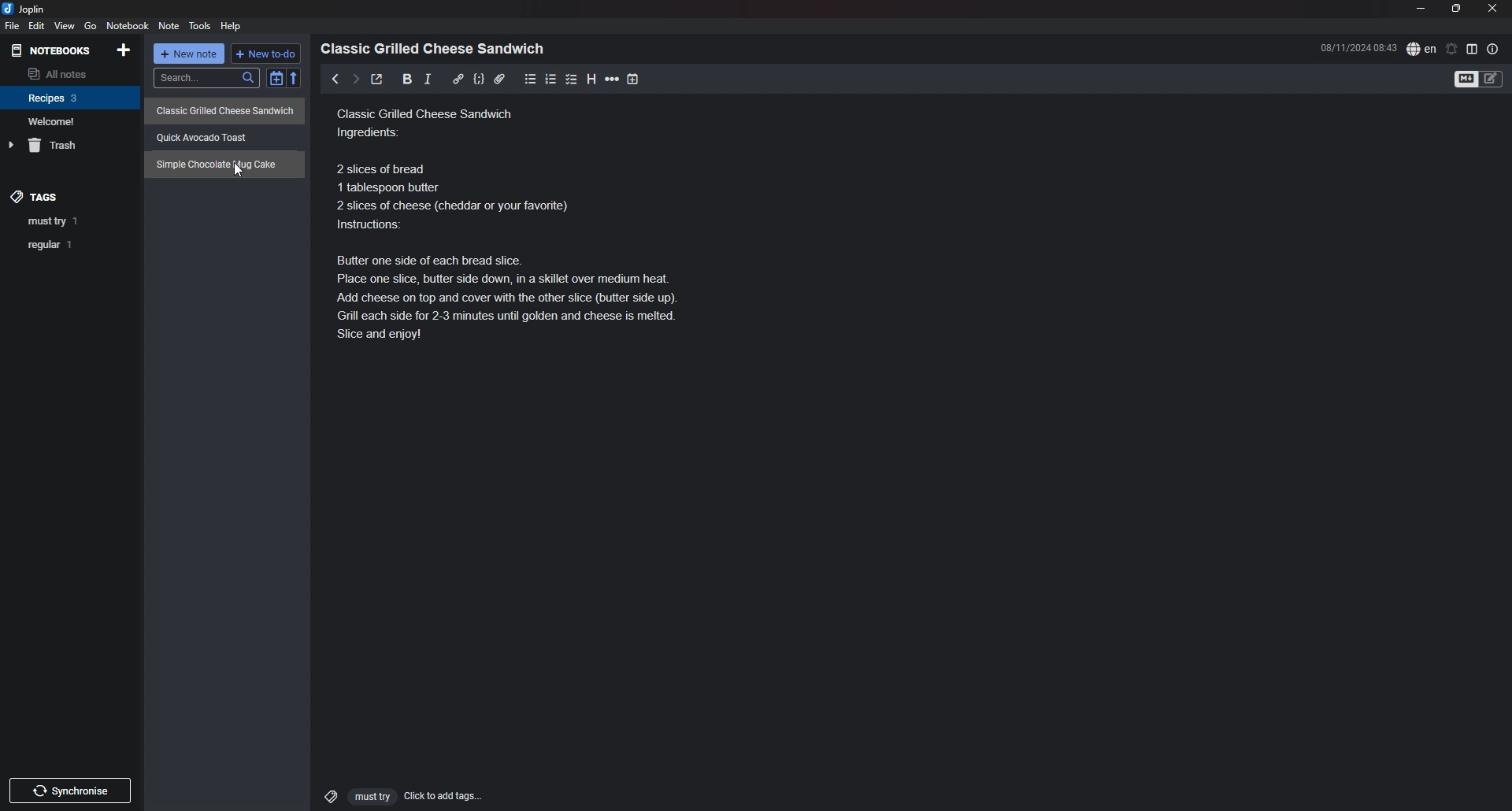 Image resolution: width=1512 pixels, height=811 pixels. Describe the element at coordinates (11, 27) in the screenshot. I see `file` at that location.